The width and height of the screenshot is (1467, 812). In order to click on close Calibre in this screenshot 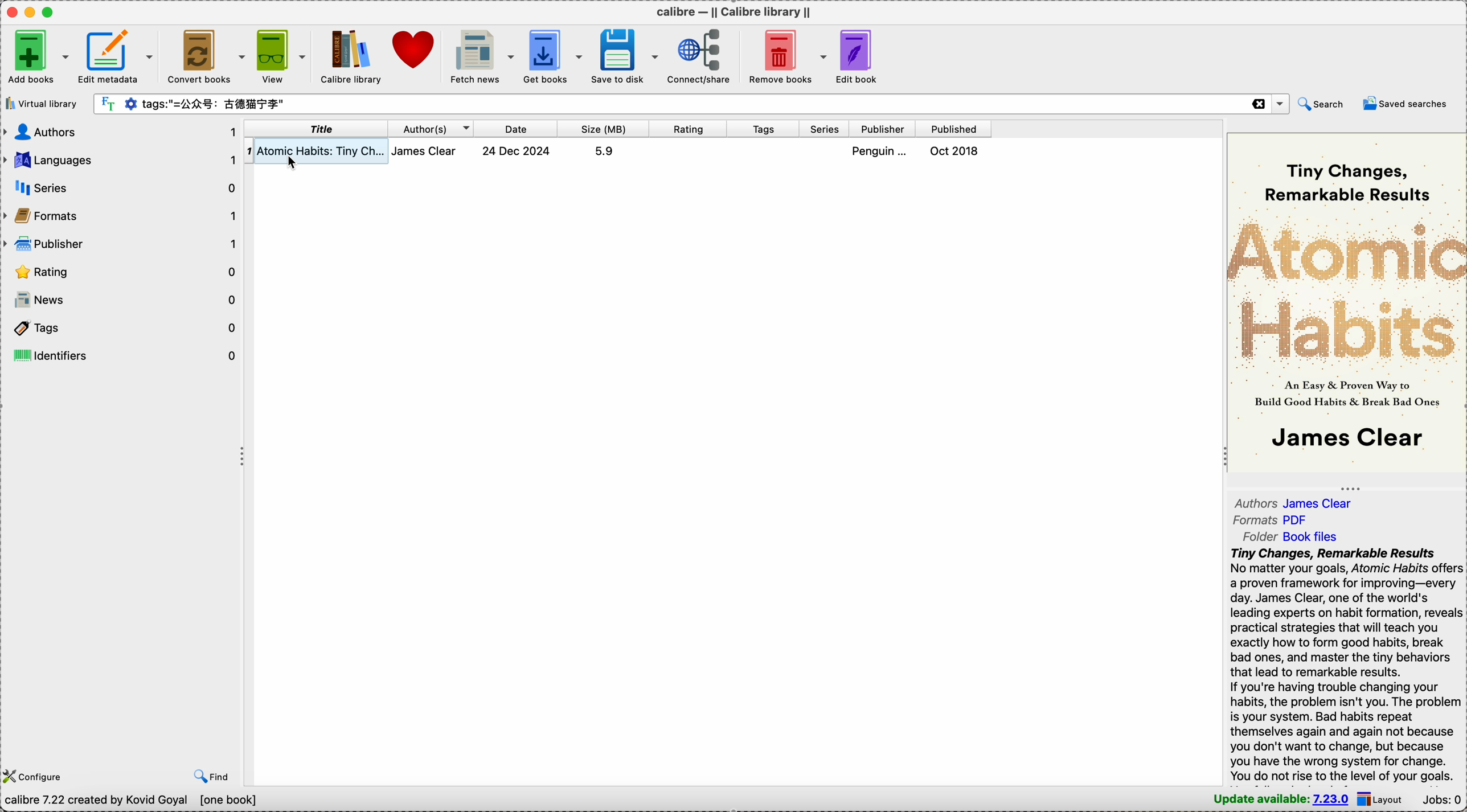, I will do `click(9, 11)`.